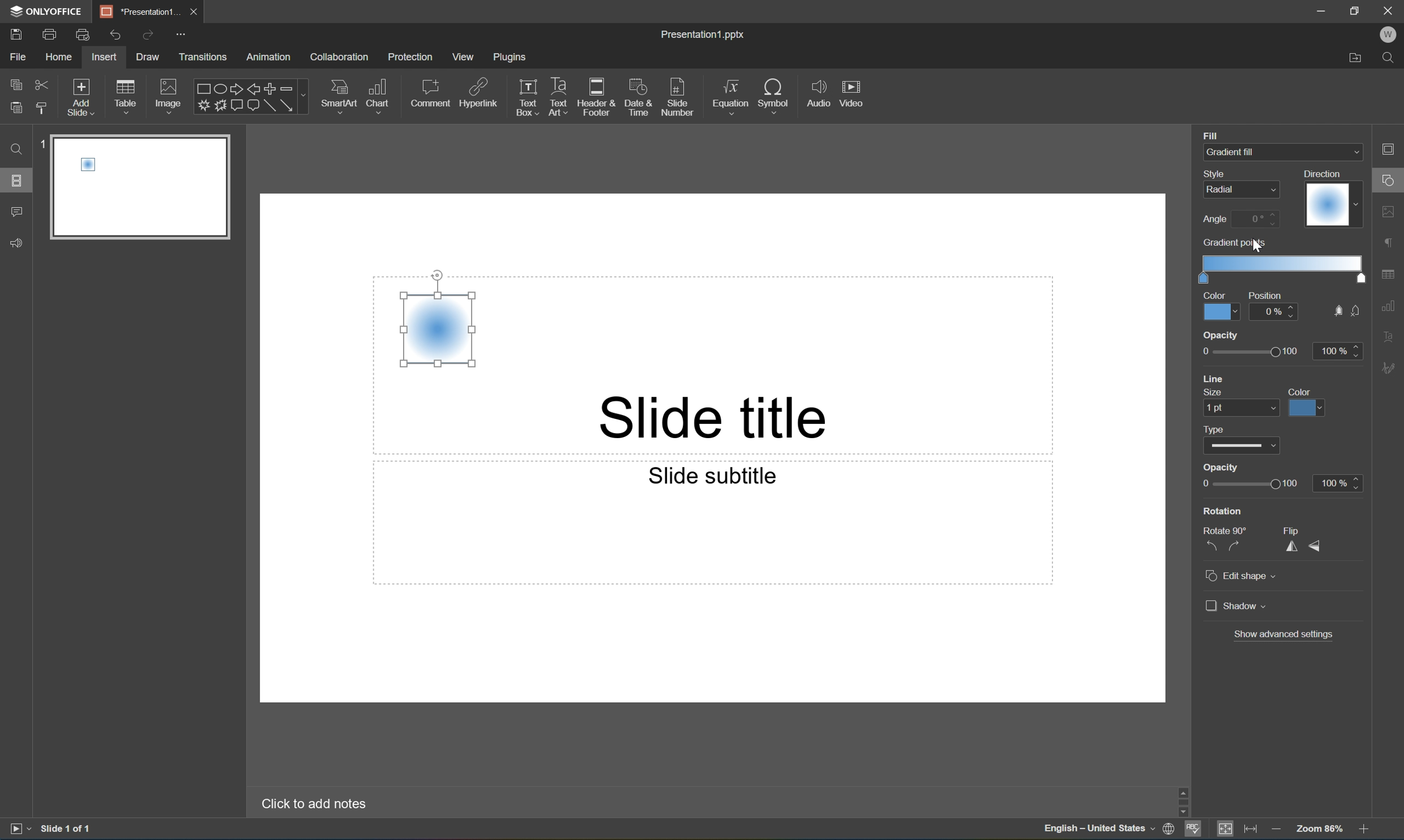  I want to click on , so click(202, 106).